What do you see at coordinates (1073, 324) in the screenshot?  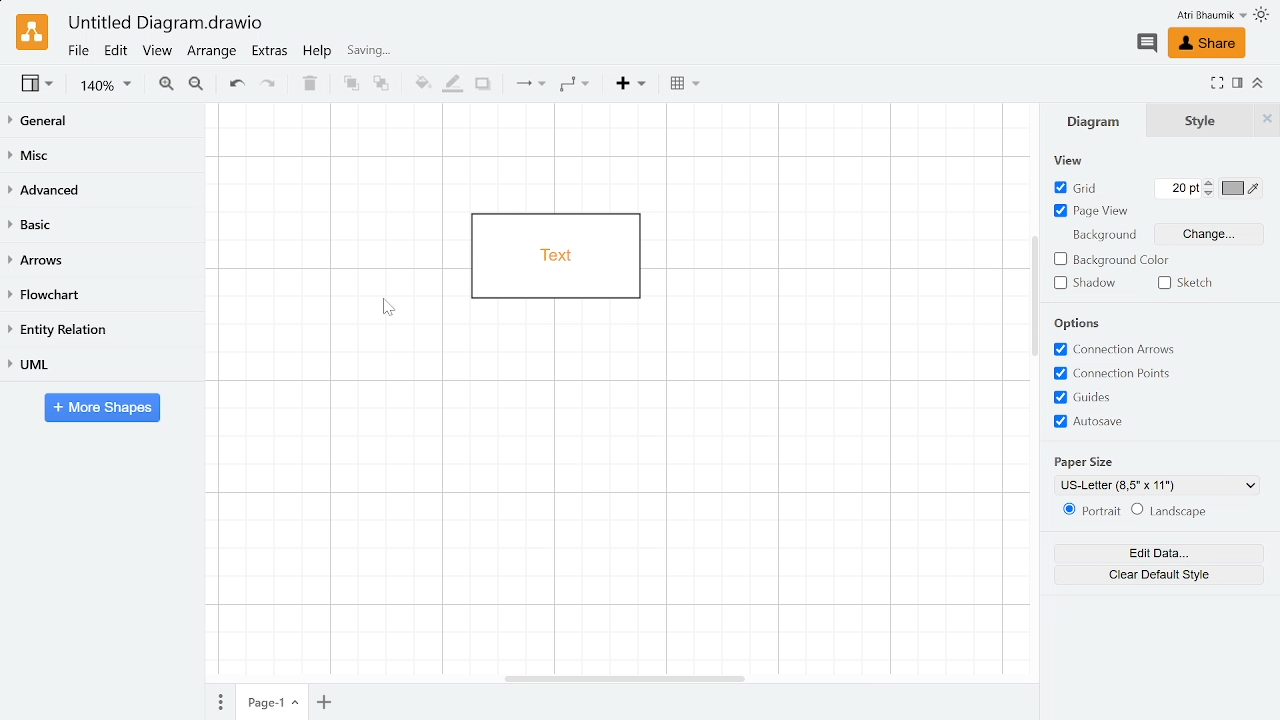 I see `options` at bounding box center [1073, 324].